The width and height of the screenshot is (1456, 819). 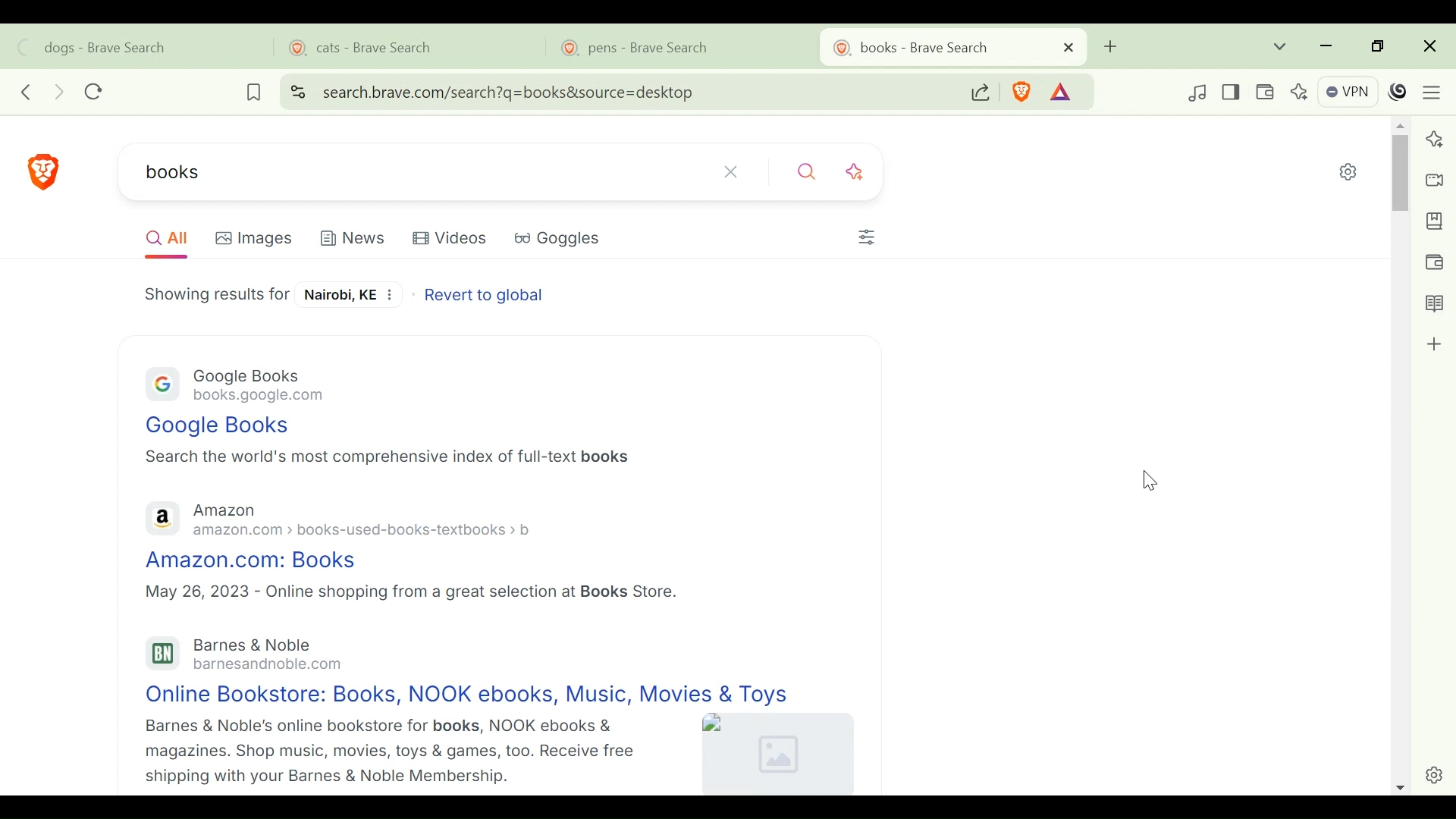 I want to click on Barnes & Noble, so click(x=288, y=644).